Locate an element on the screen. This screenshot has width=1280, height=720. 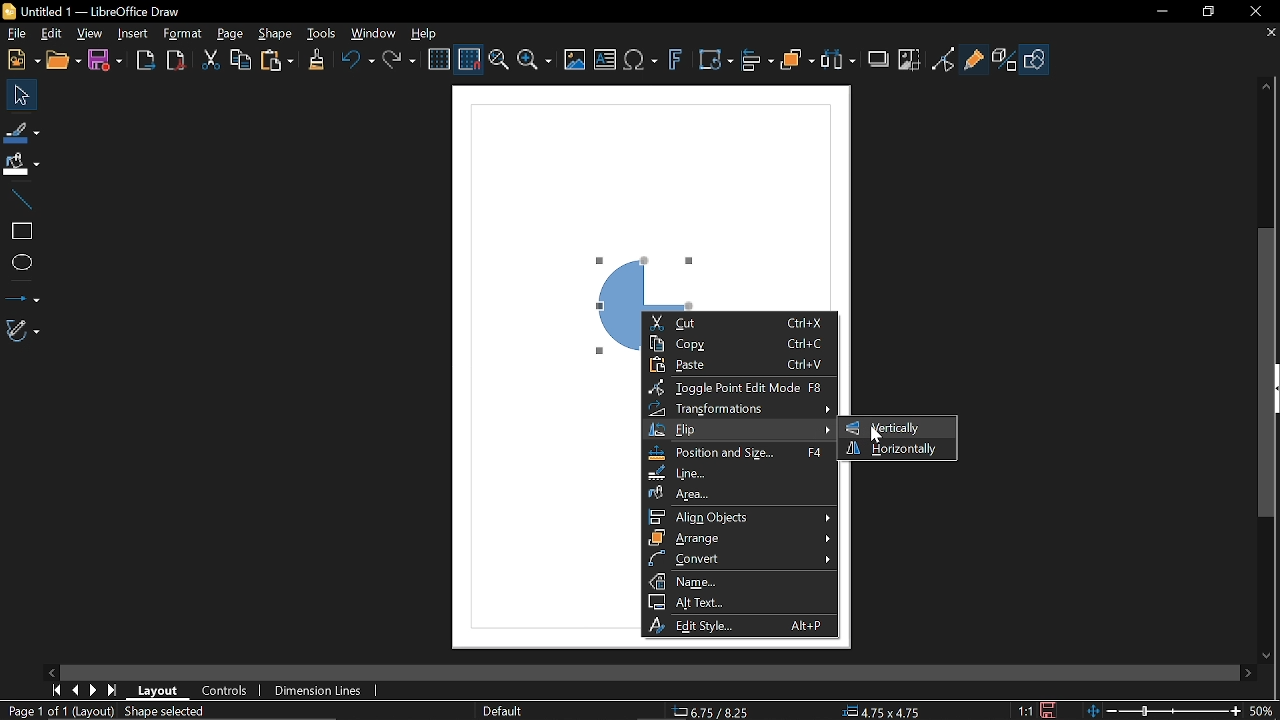
Help is located at coordinates (430, 32).